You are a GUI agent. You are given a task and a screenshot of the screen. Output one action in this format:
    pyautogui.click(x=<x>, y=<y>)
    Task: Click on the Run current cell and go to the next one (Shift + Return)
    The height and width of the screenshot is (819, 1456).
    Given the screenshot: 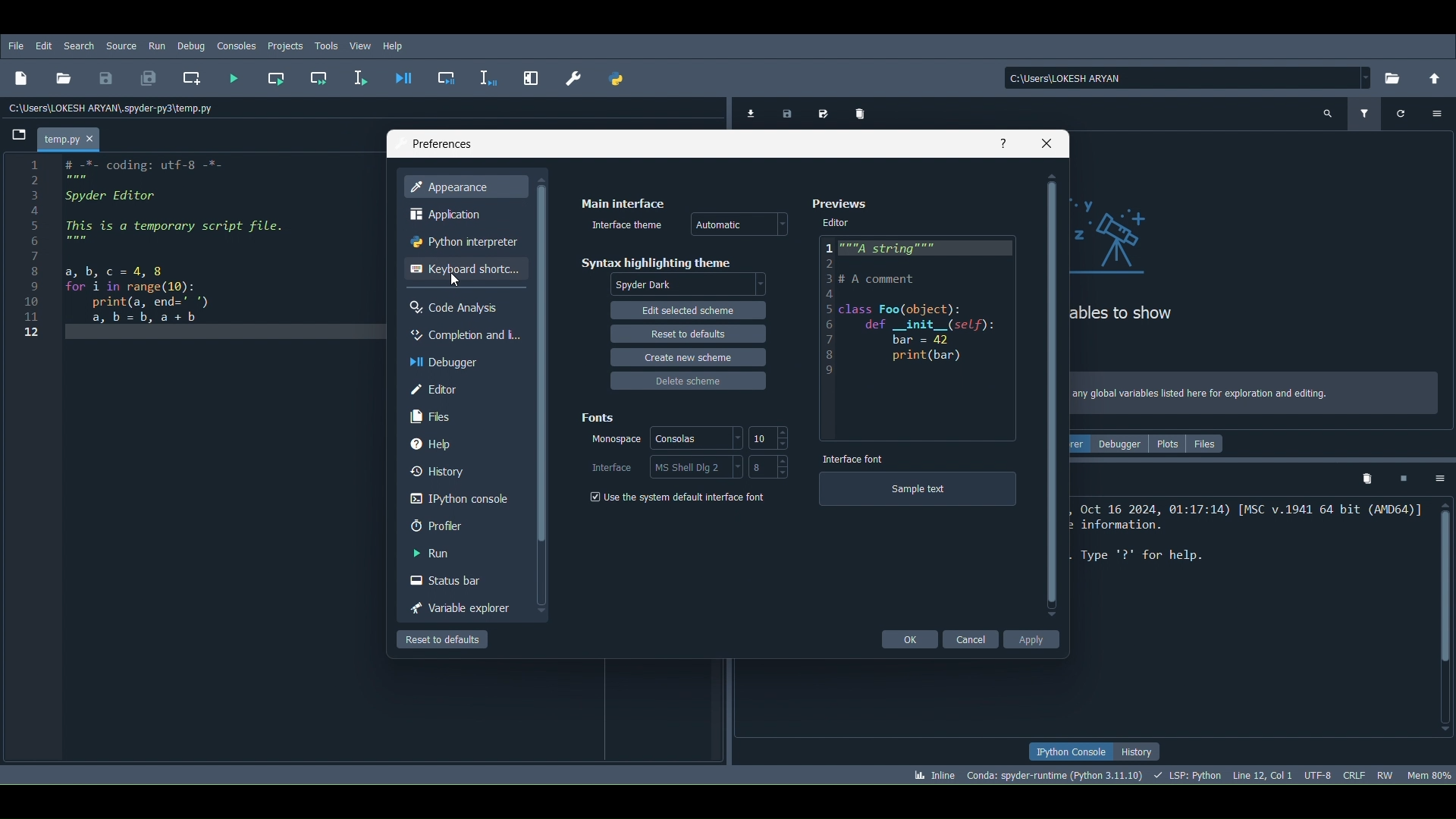 What is the action you would take?
    pyautogui.click(x=320, y=76)
    